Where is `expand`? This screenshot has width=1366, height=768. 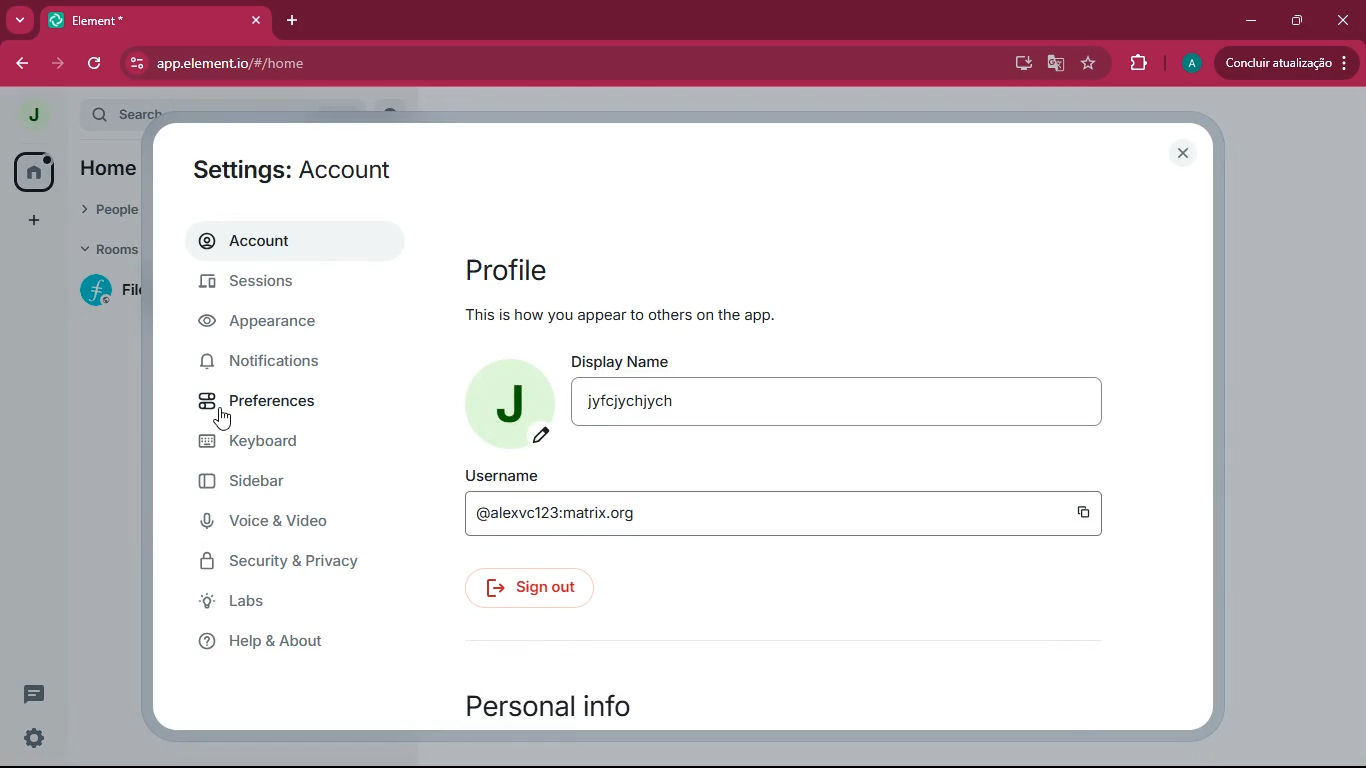 expand is located at coordinates (68, 117).